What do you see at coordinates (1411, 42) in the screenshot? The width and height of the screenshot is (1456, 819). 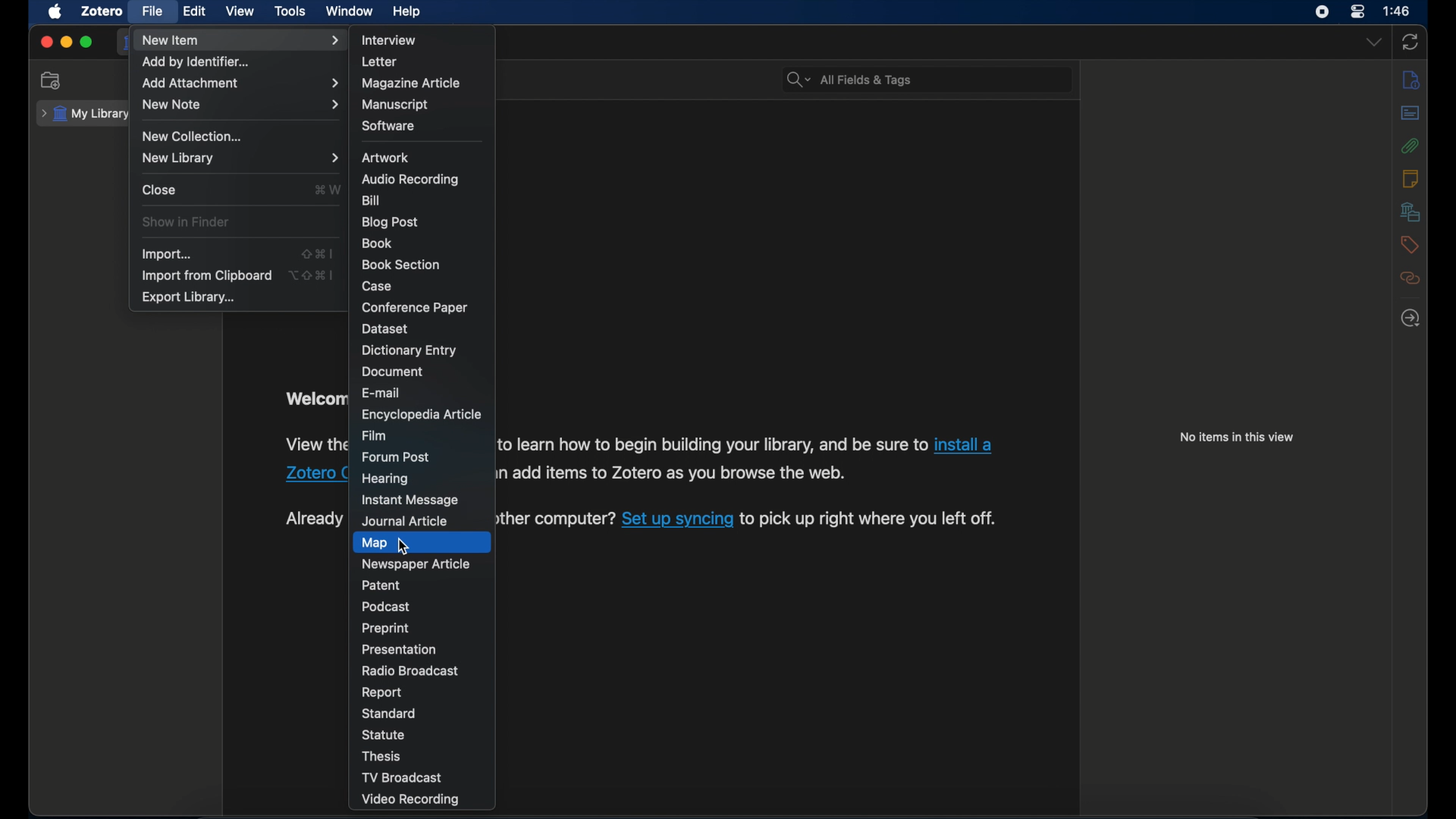 I see `sync` at bounding box center [1411, 42].